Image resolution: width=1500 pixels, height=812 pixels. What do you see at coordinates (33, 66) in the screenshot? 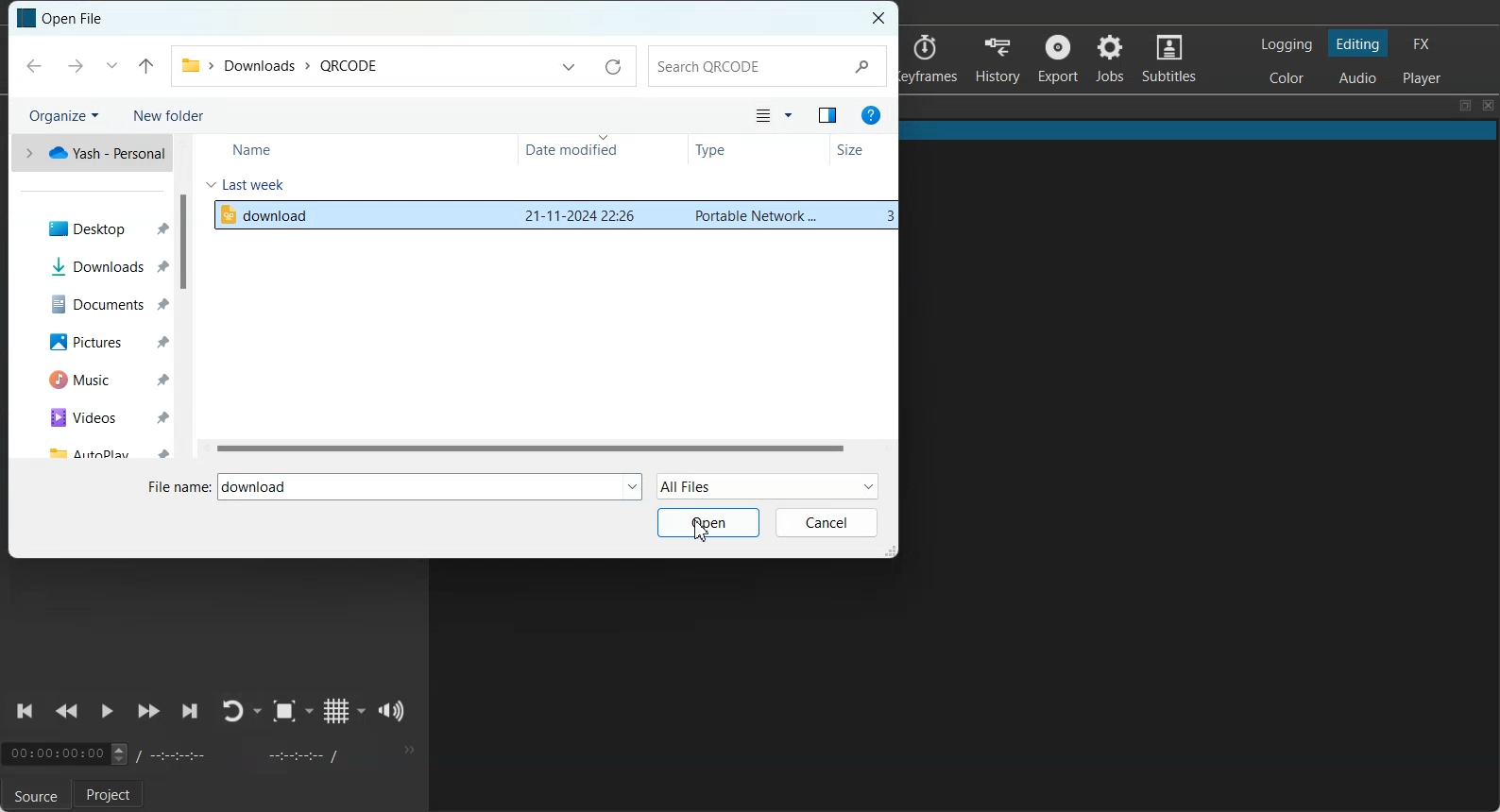
I see `Back` at bounding box center [33, 66].